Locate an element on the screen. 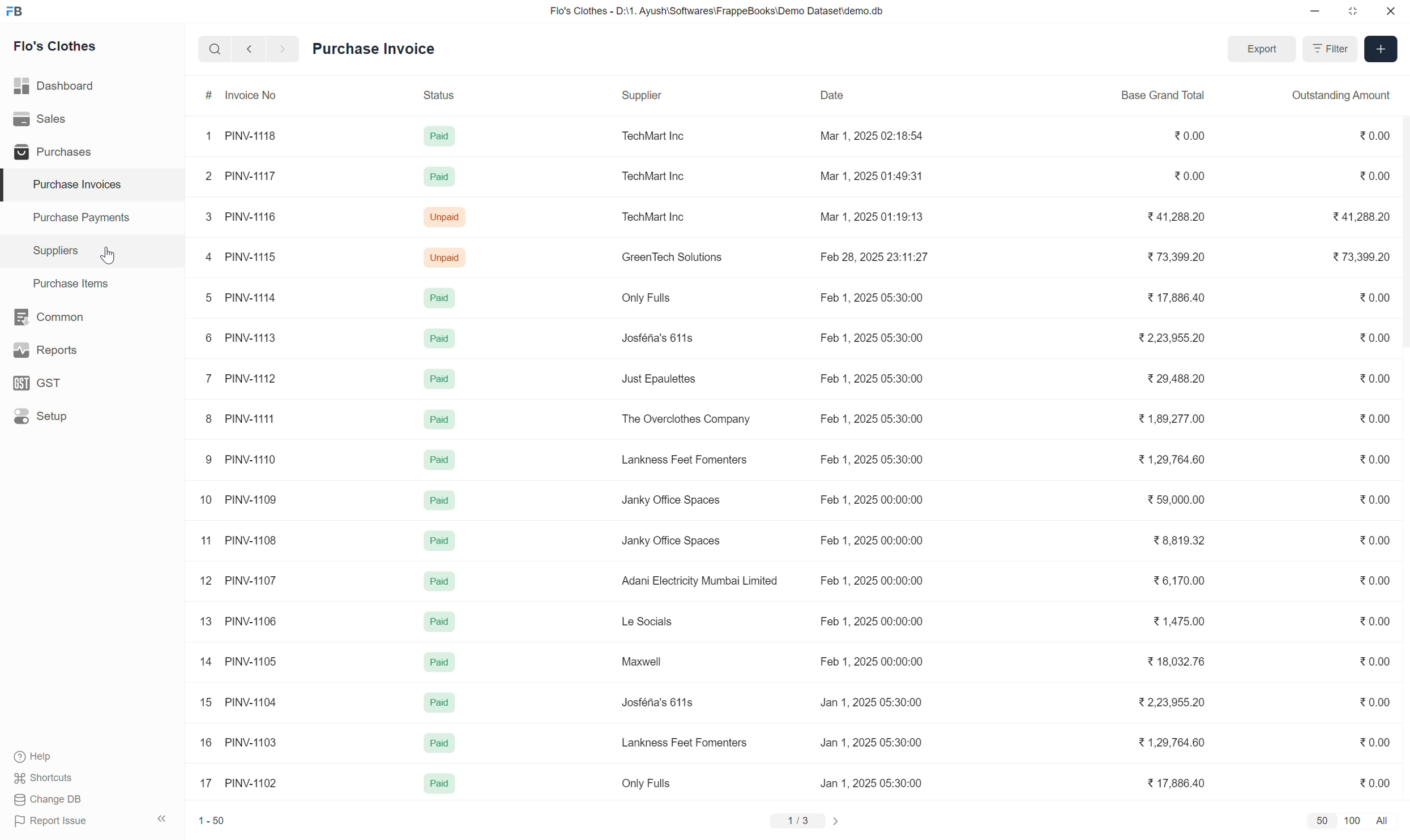  Mar 1, 2025 02:18:54 is located at coordinates (870, 136).